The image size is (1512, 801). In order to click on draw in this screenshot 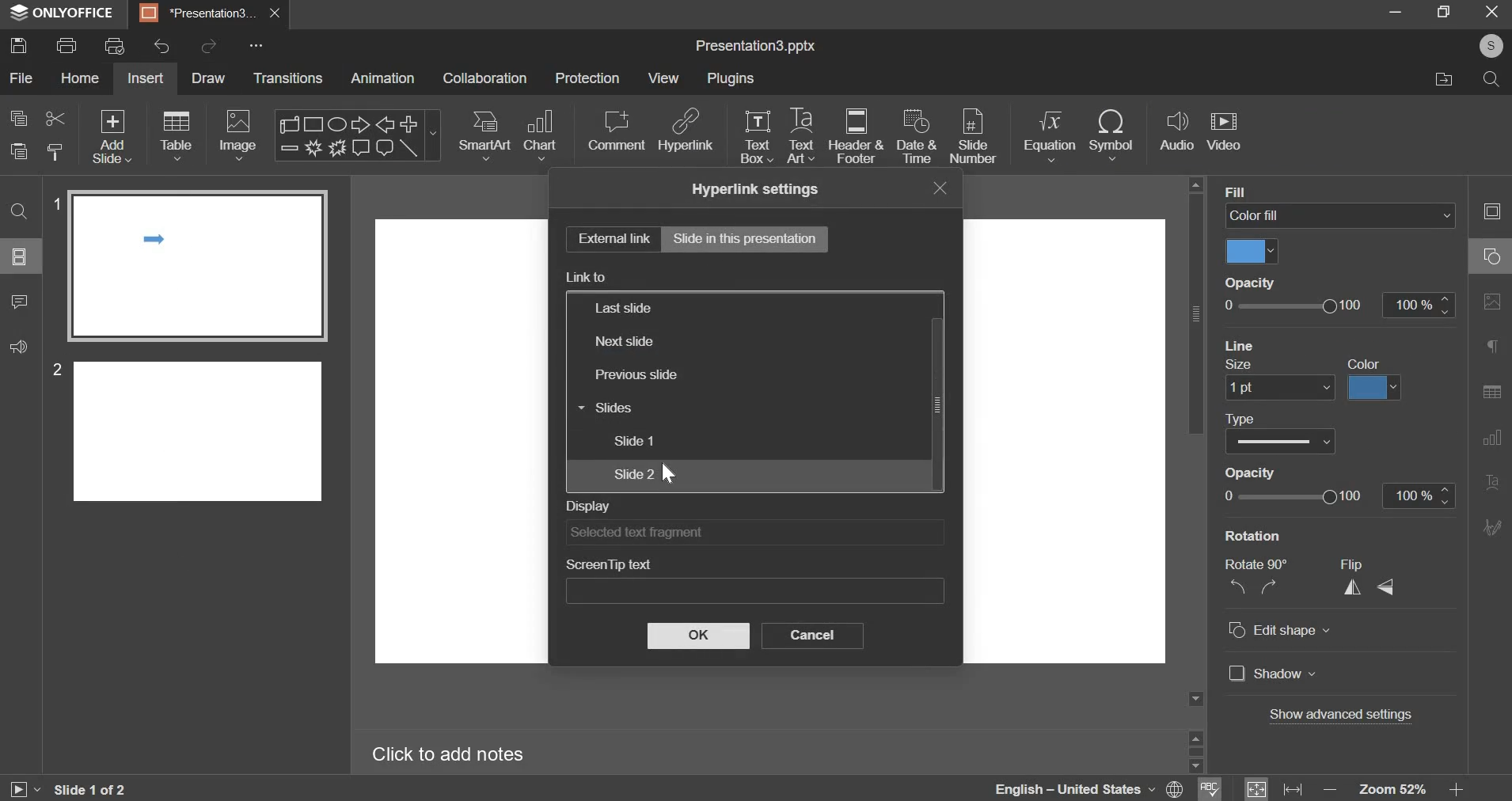, I will do `click(212, 80)`.